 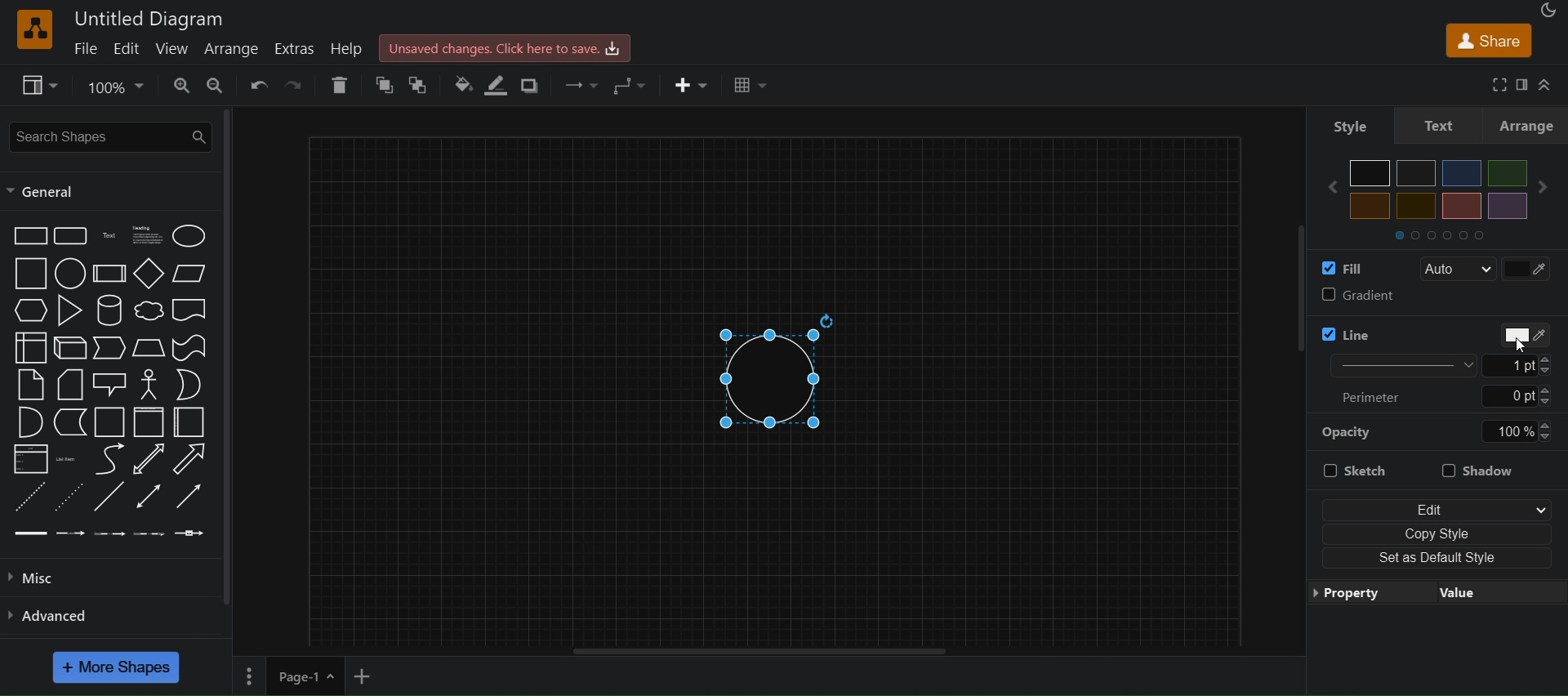 What do you see at coordinates (1370, 206) in the screenshot?
I see `yellow color` at bounding box center [1370, 206].